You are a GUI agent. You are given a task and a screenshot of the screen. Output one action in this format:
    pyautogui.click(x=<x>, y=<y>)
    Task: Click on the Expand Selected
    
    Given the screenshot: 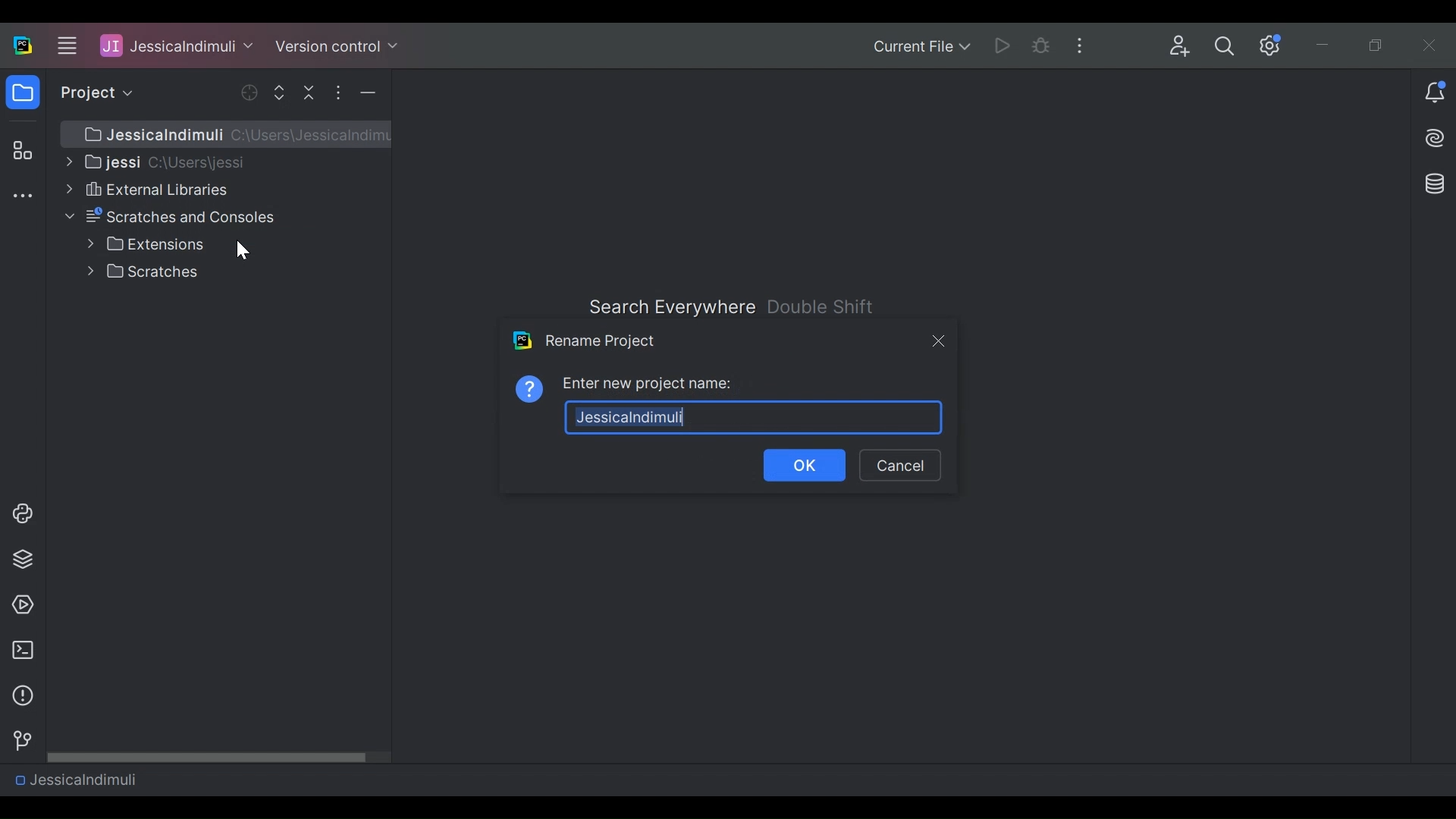 What is the action you would take?
    pyautogui.click(x=283, y=92)
    